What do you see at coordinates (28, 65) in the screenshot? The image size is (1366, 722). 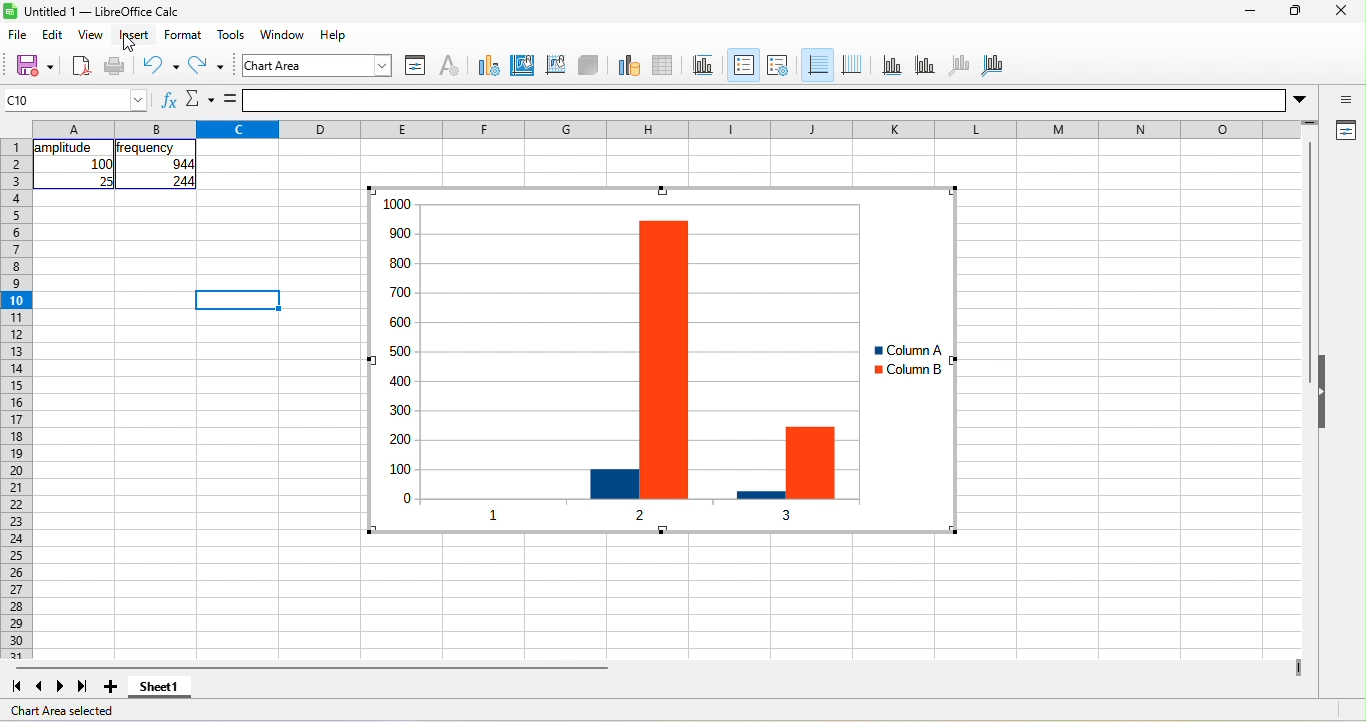 I see `save` at bounding box center [28, 65].